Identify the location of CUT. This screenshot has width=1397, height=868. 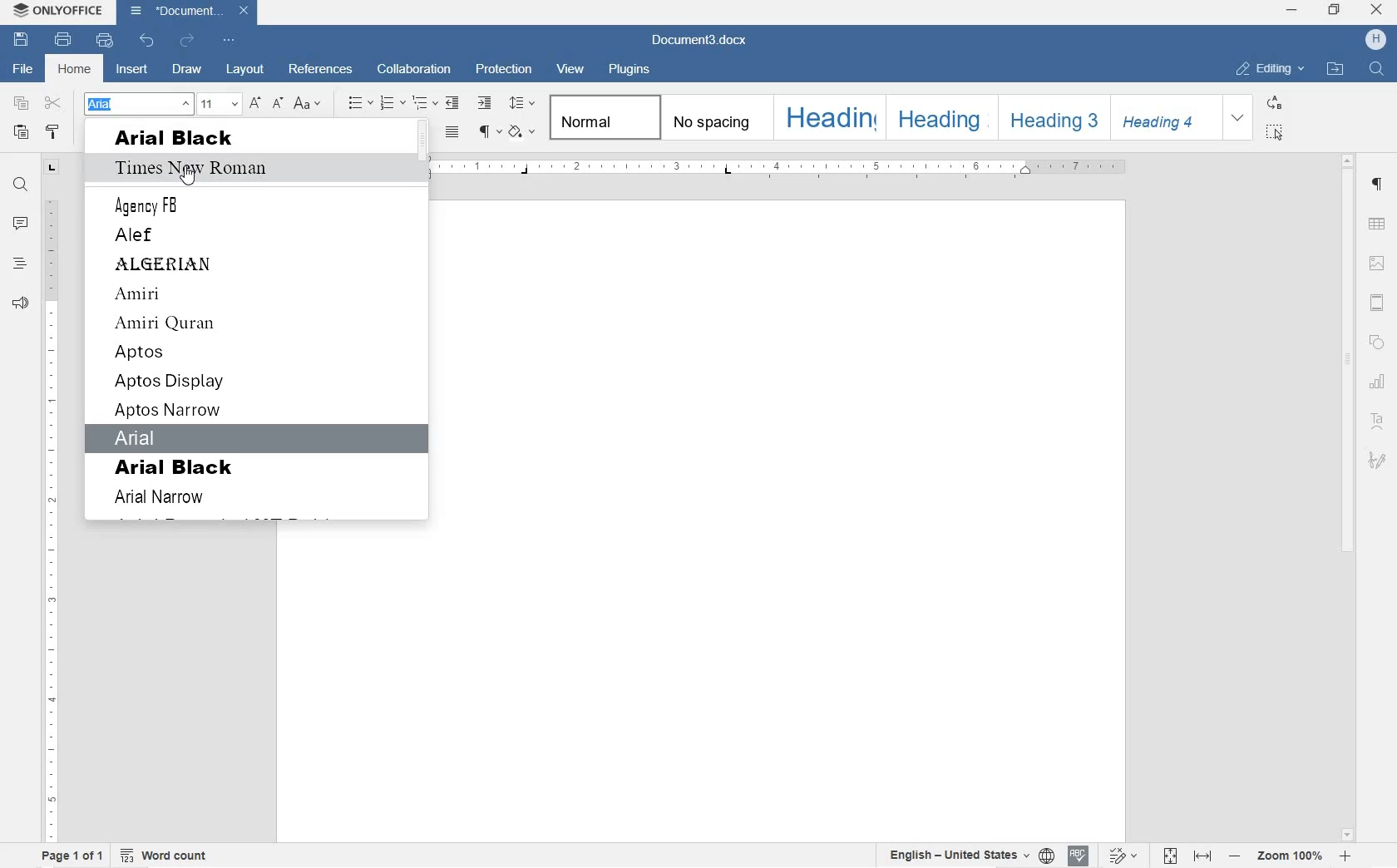
(53, 103).